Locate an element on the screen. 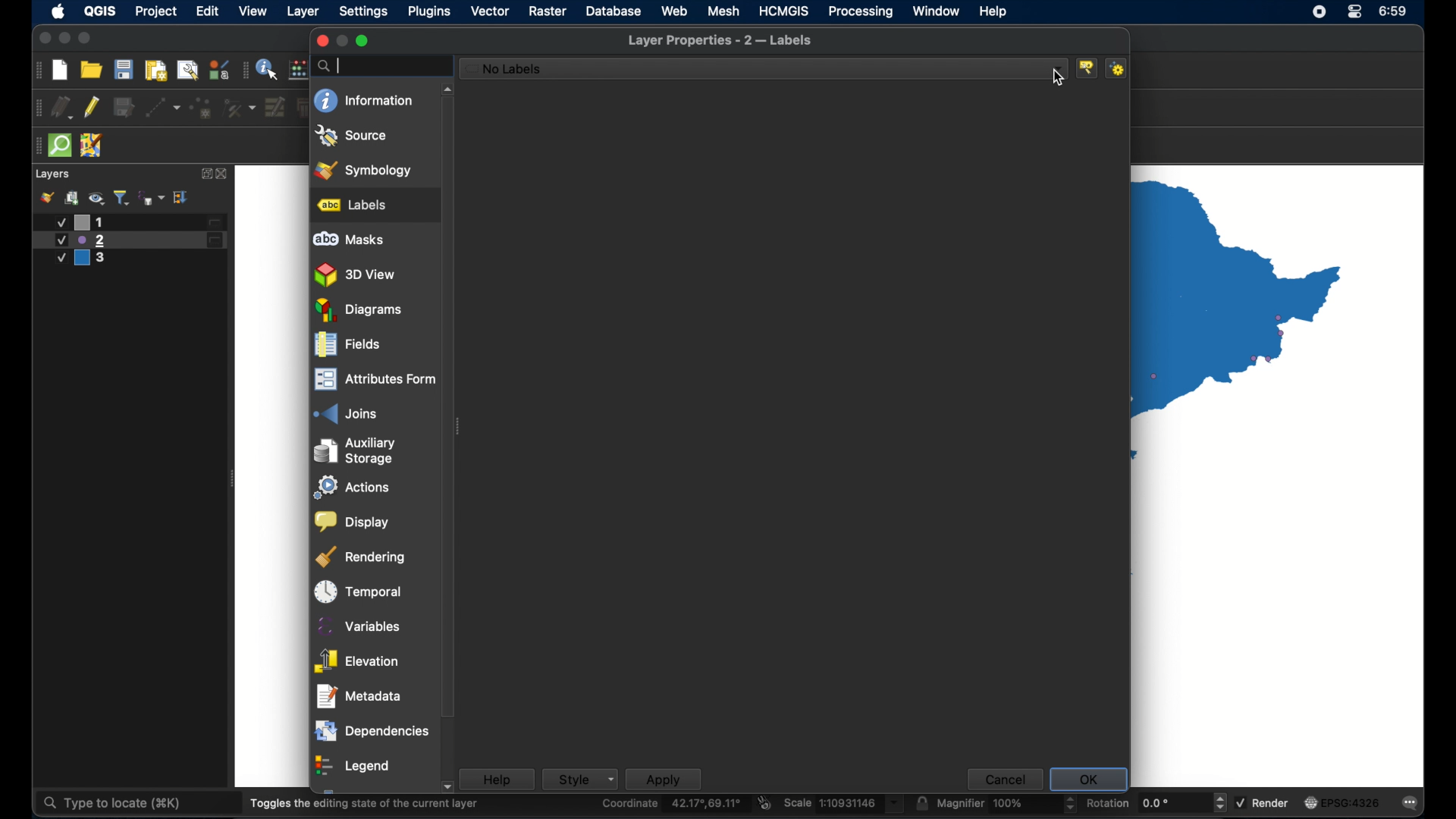  magnifier is located at coordinates (1006, 803).